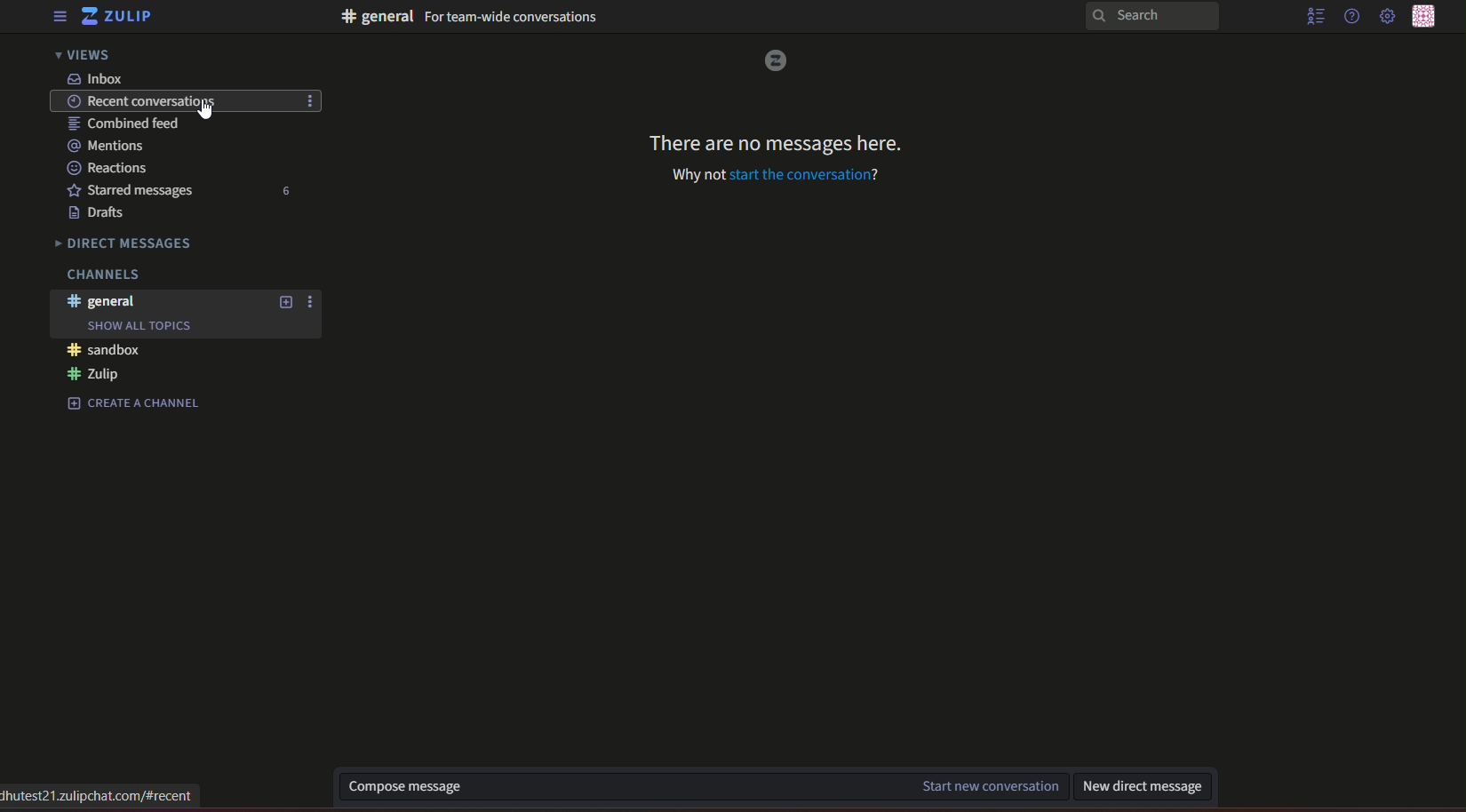 The width and height of the screenshot is (1466, 812). What do you see at coordinates (120, 18) in the screenshot?
I see `Zulip logo` at bounding box center [120, 18].